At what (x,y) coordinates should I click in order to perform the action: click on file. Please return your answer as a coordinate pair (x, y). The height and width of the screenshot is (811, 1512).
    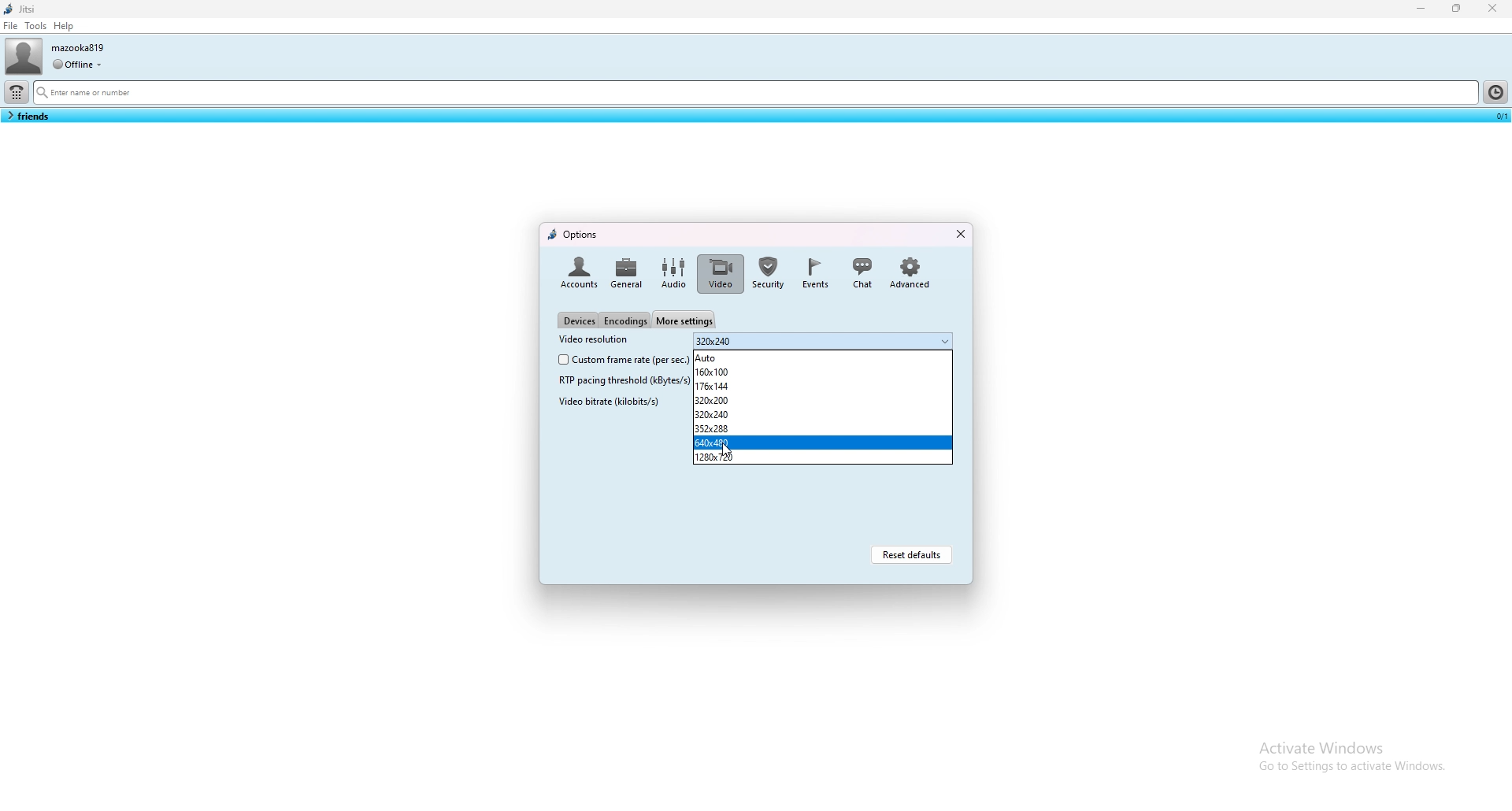
    Looking at the image, I should click on (11, 25).